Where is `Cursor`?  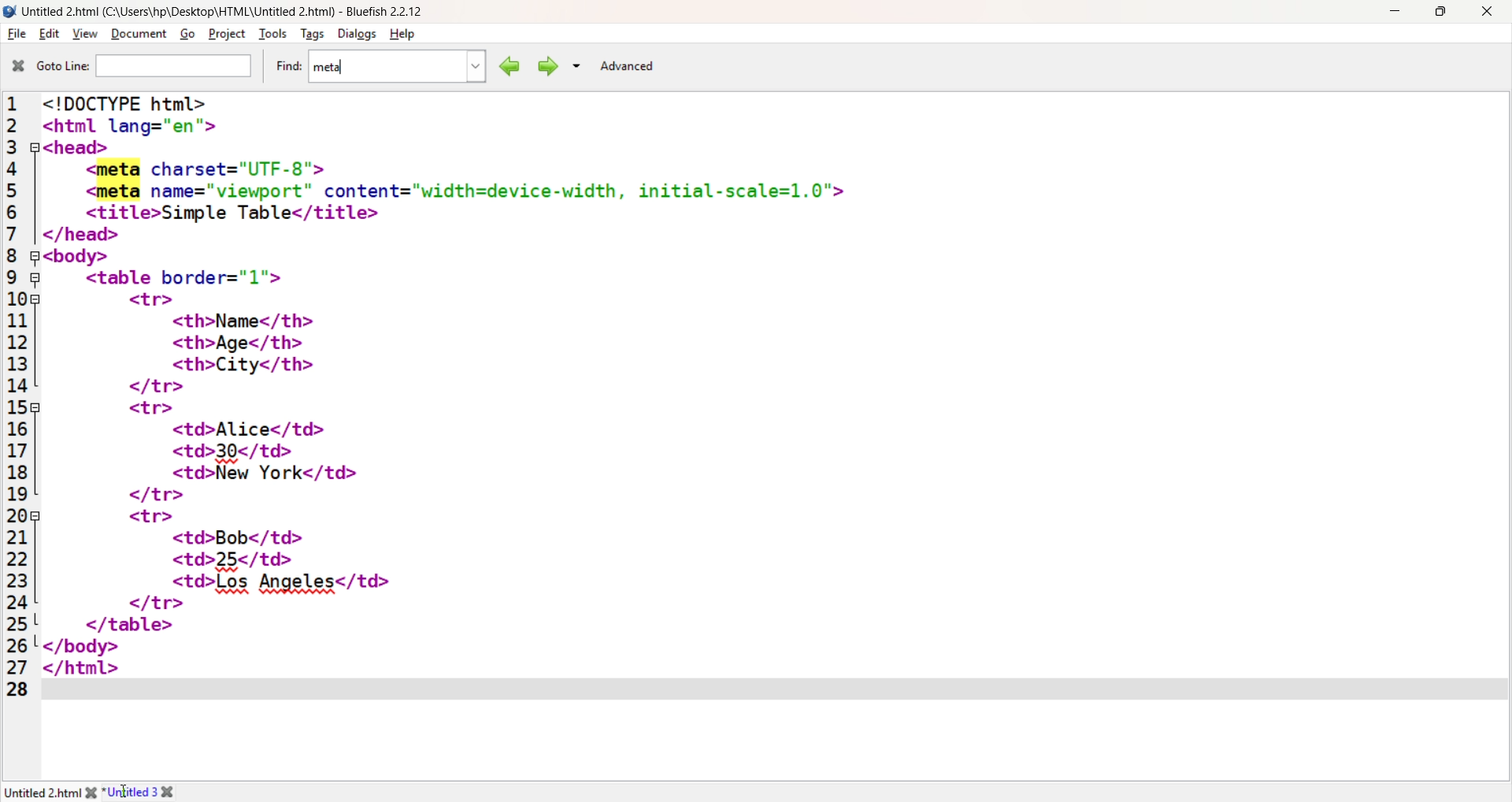
Cursor is located at coordinates (125, 790).